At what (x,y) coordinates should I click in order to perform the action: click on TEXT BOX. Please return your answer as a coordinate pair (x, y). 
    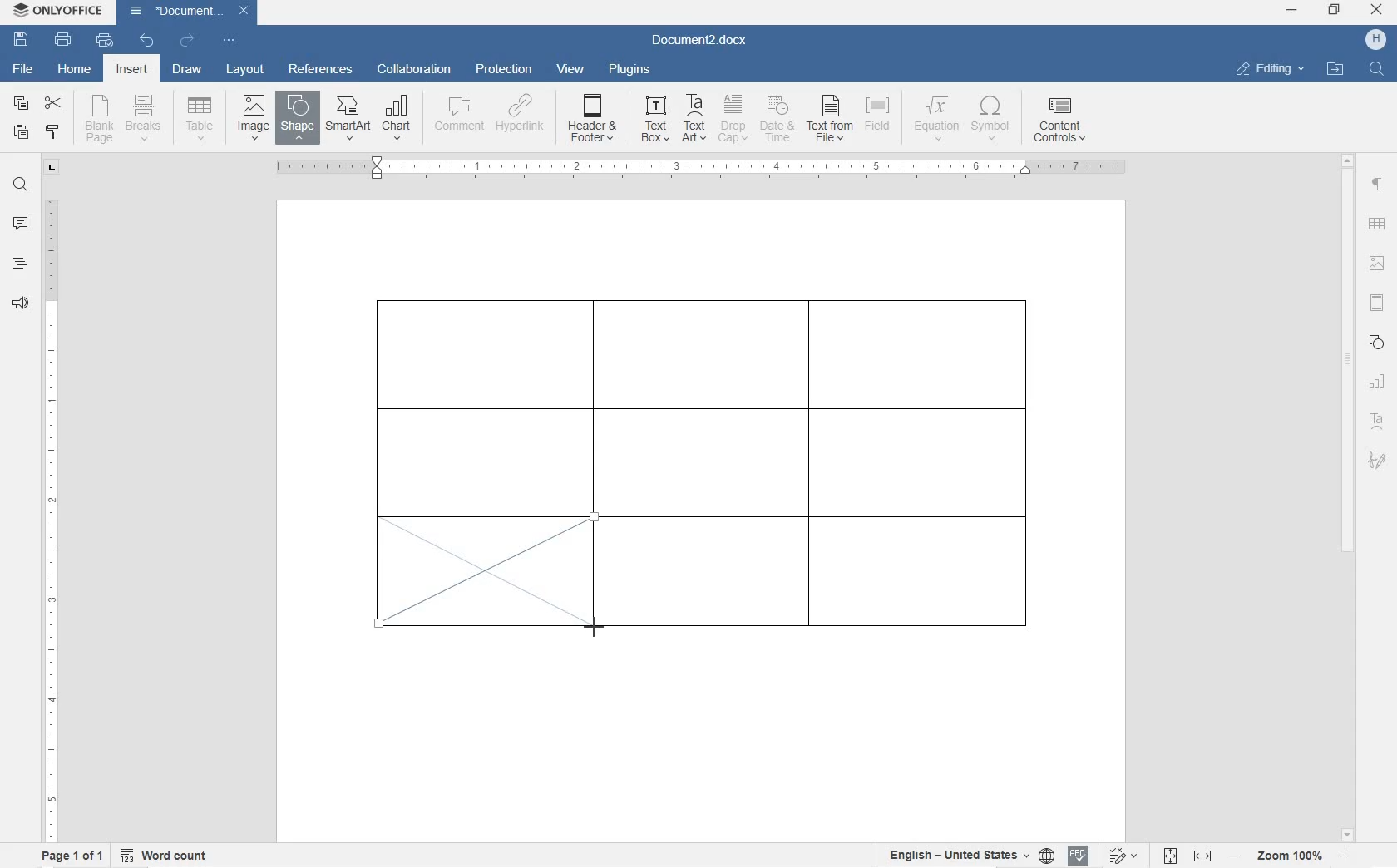
    Looking at the image, I should click on (653, 121).